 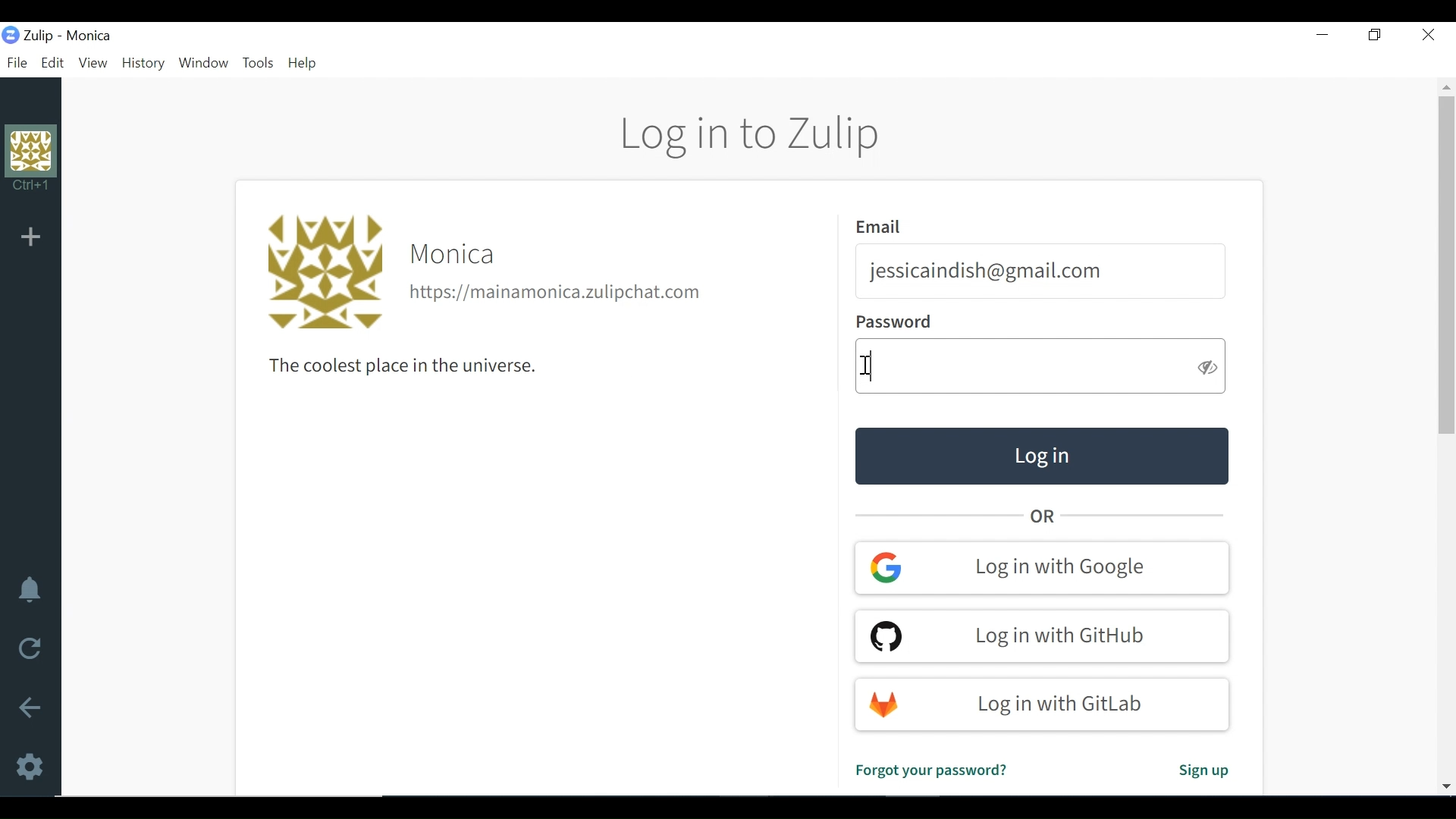 I want to click on Tools, so click(x=259, y=64).